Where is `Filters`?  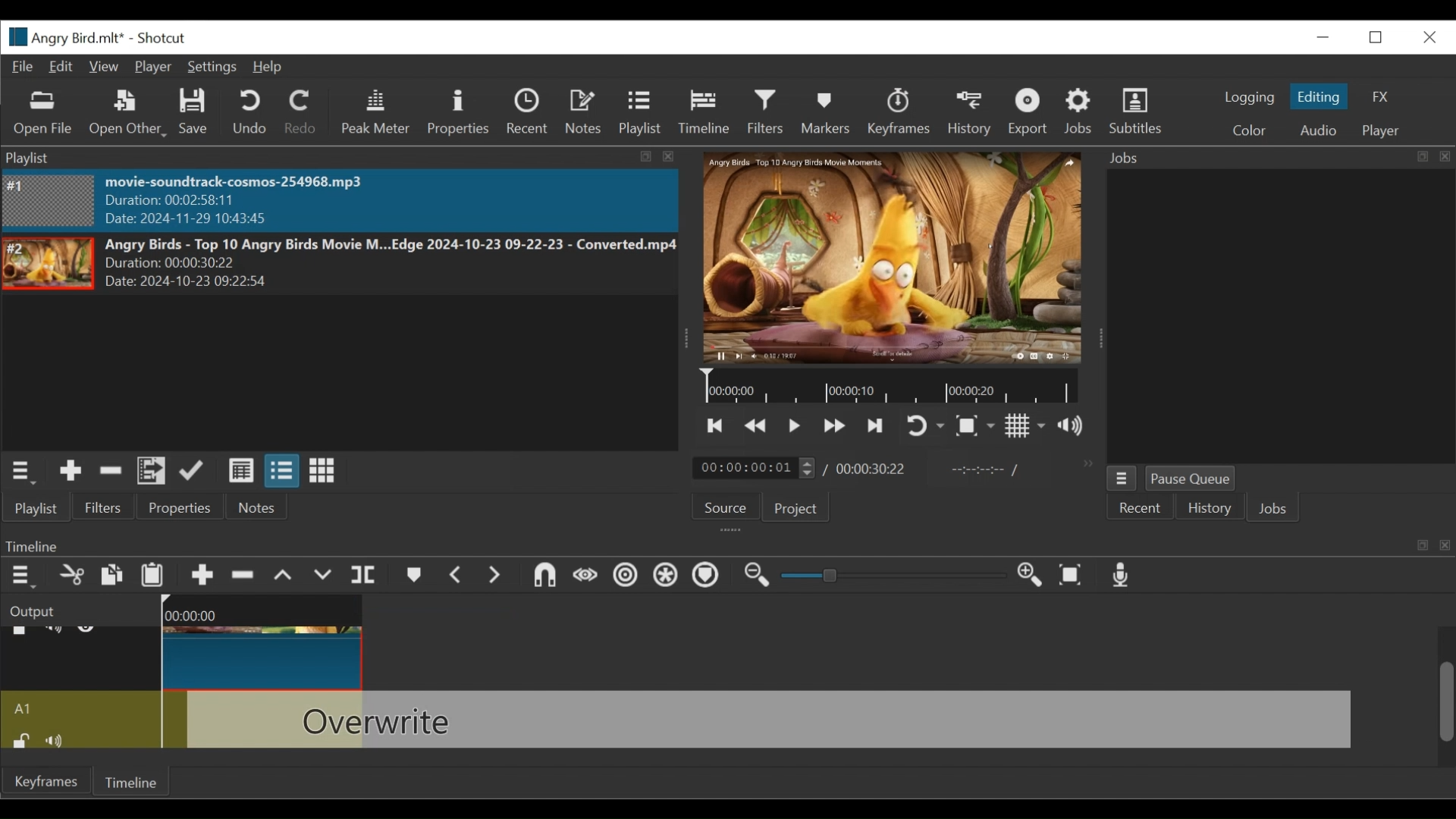 Filters is located at coordinates (110, 507).